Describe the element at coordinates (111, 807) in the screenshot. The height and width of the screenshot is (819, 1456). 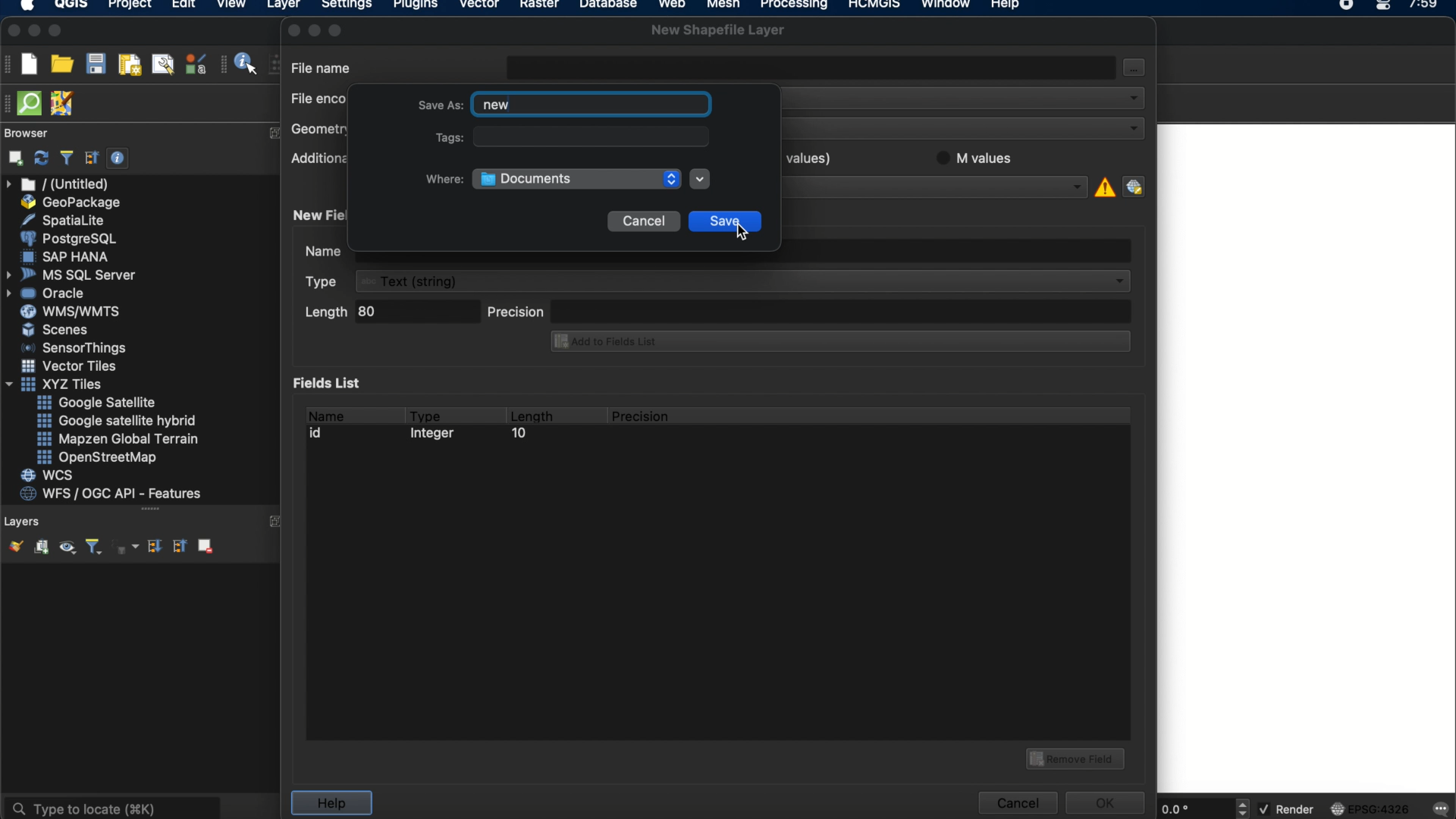
I see `type to locate` at that location.